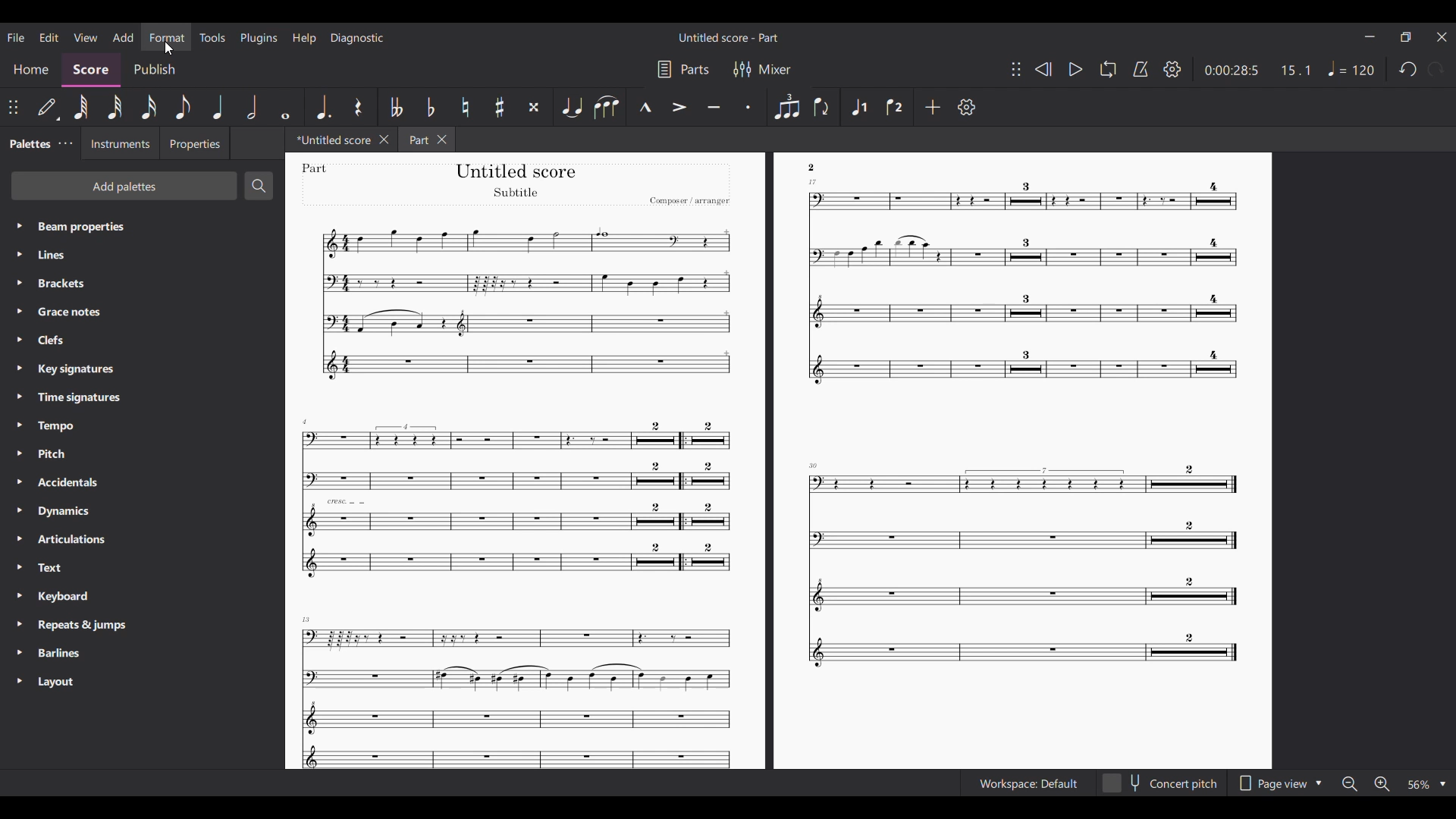  I want to click on Tempo, so click(1351, 68).